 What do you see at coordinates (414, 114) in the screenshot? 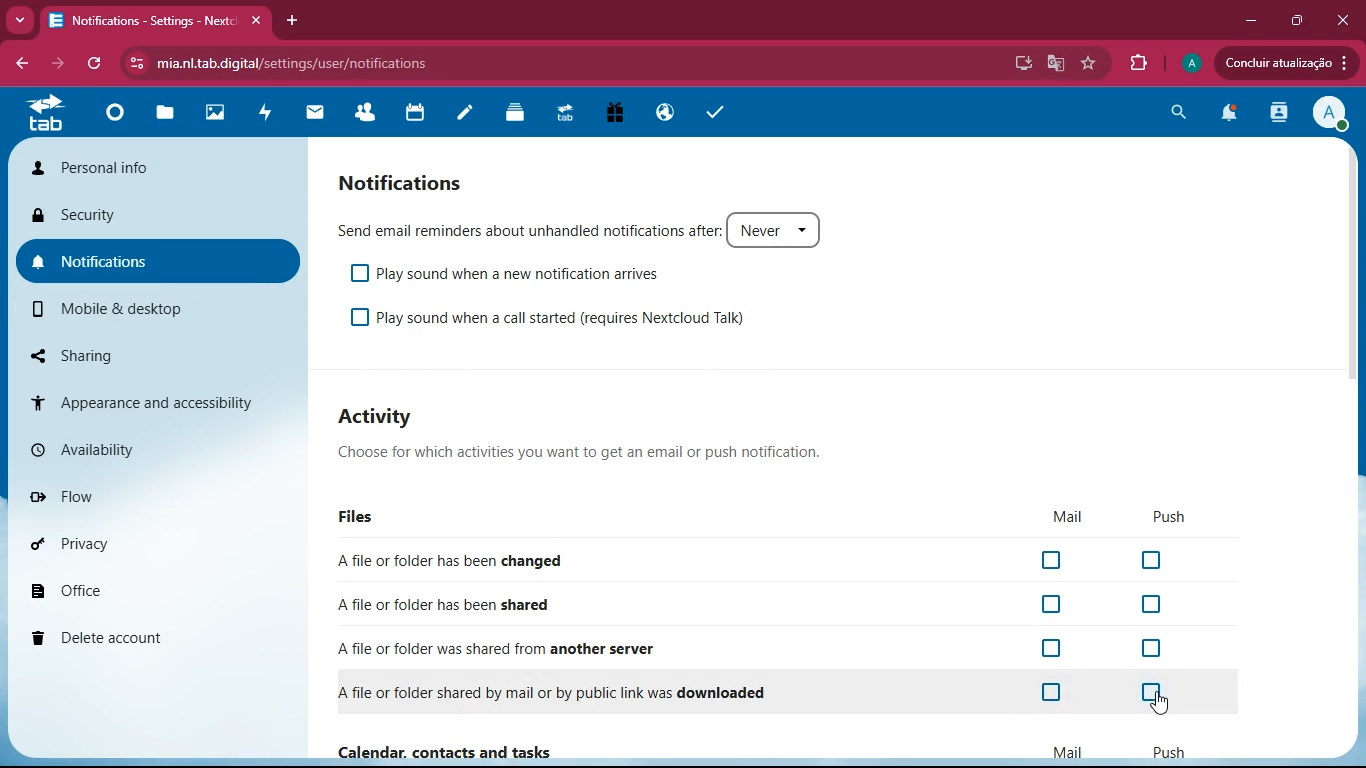
I see `calendar` at bounding box center [414, 114].